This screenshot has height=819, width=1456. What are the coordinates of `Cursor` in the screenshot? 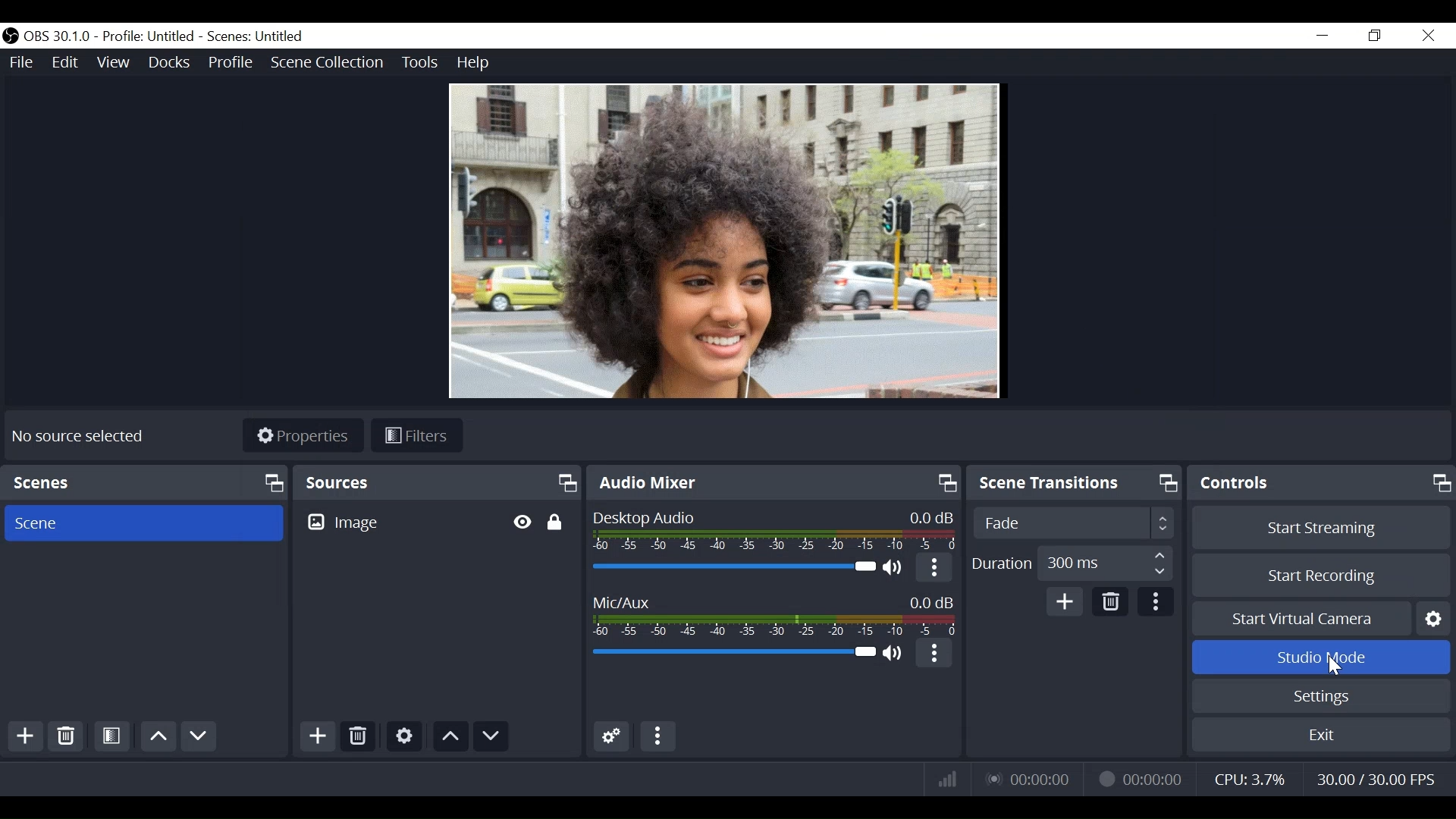 It's located at (1334, 666).